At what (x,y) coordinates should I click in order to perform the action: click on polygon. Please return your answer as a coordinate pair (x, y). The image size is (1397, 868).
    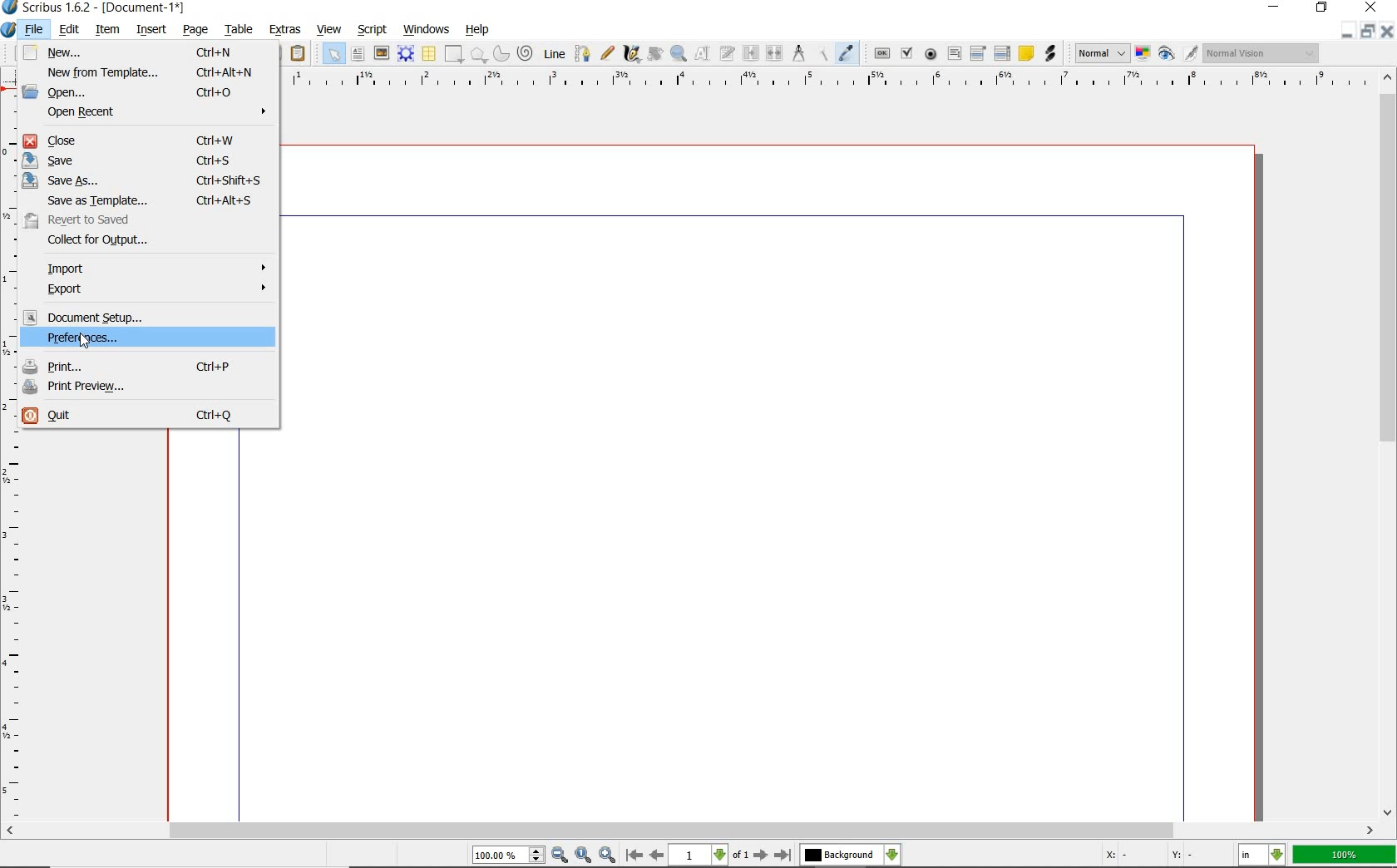
    Looking at the image, I should click on (478, 55).